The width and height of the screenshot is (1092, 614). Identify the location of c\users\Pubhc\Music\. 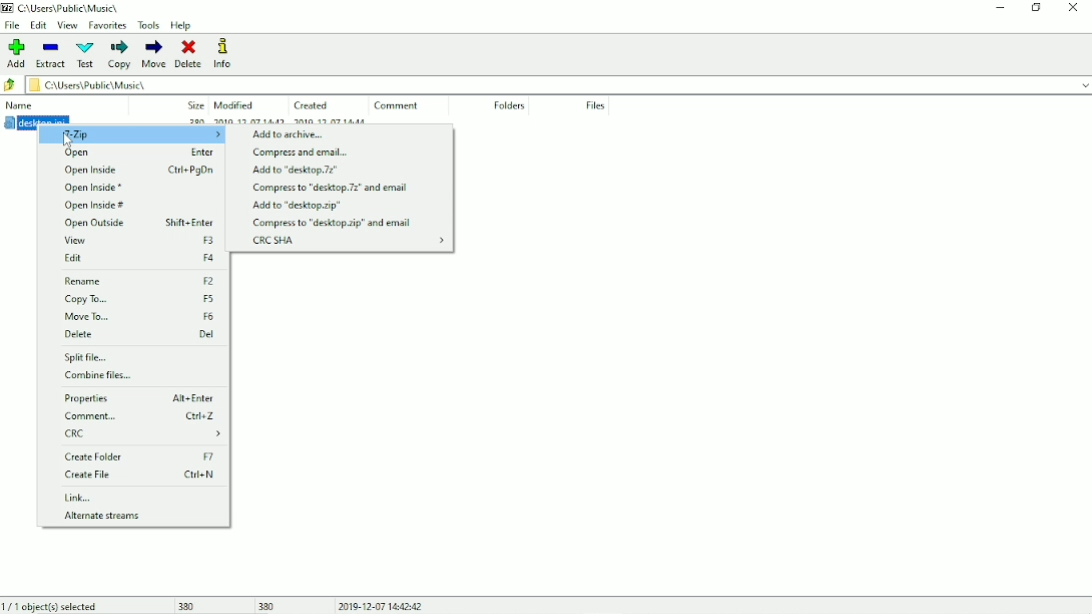
(69, 7).